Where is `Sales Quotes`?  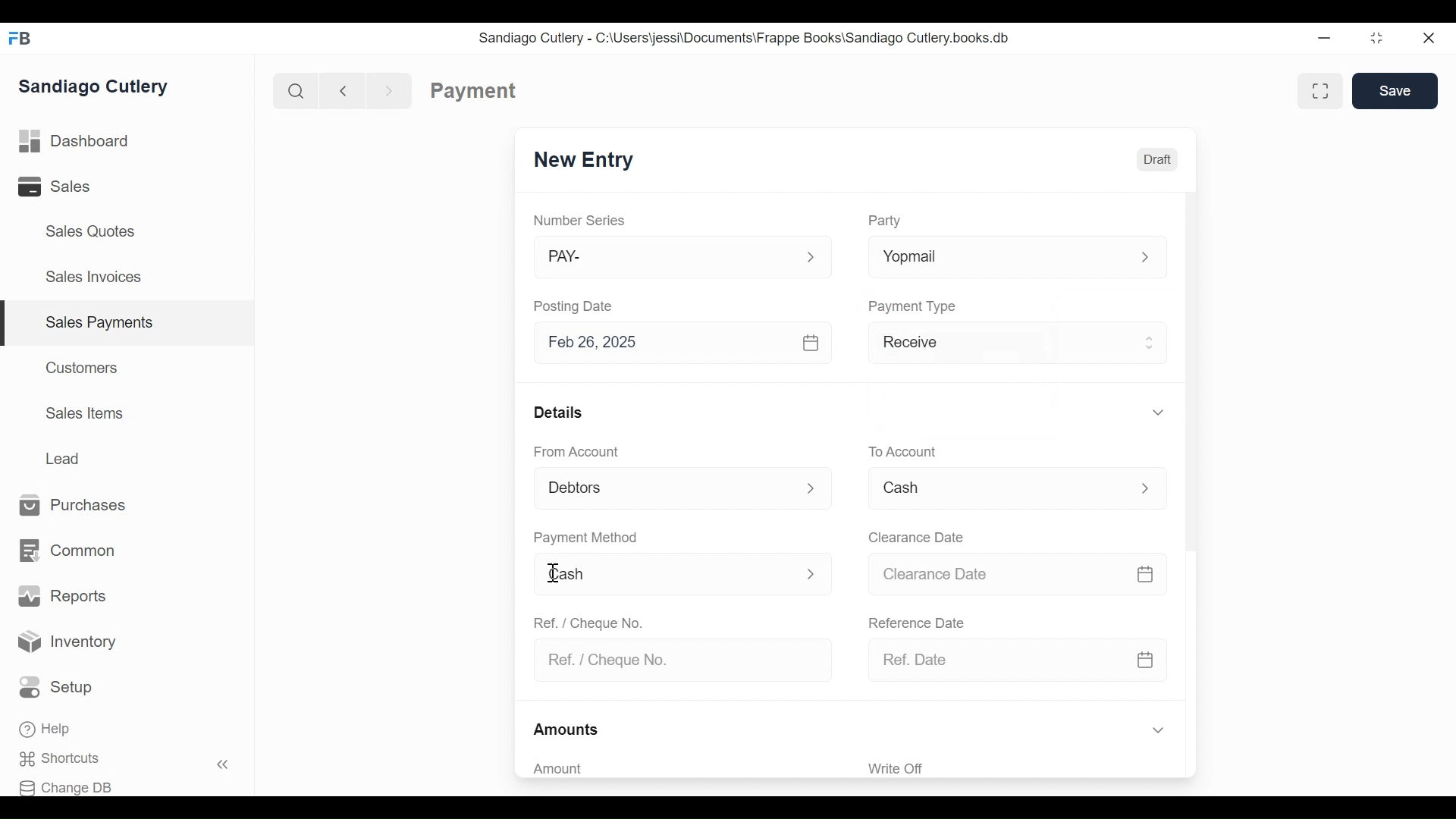
Sales Quotes is located at coordinates (89, 231).